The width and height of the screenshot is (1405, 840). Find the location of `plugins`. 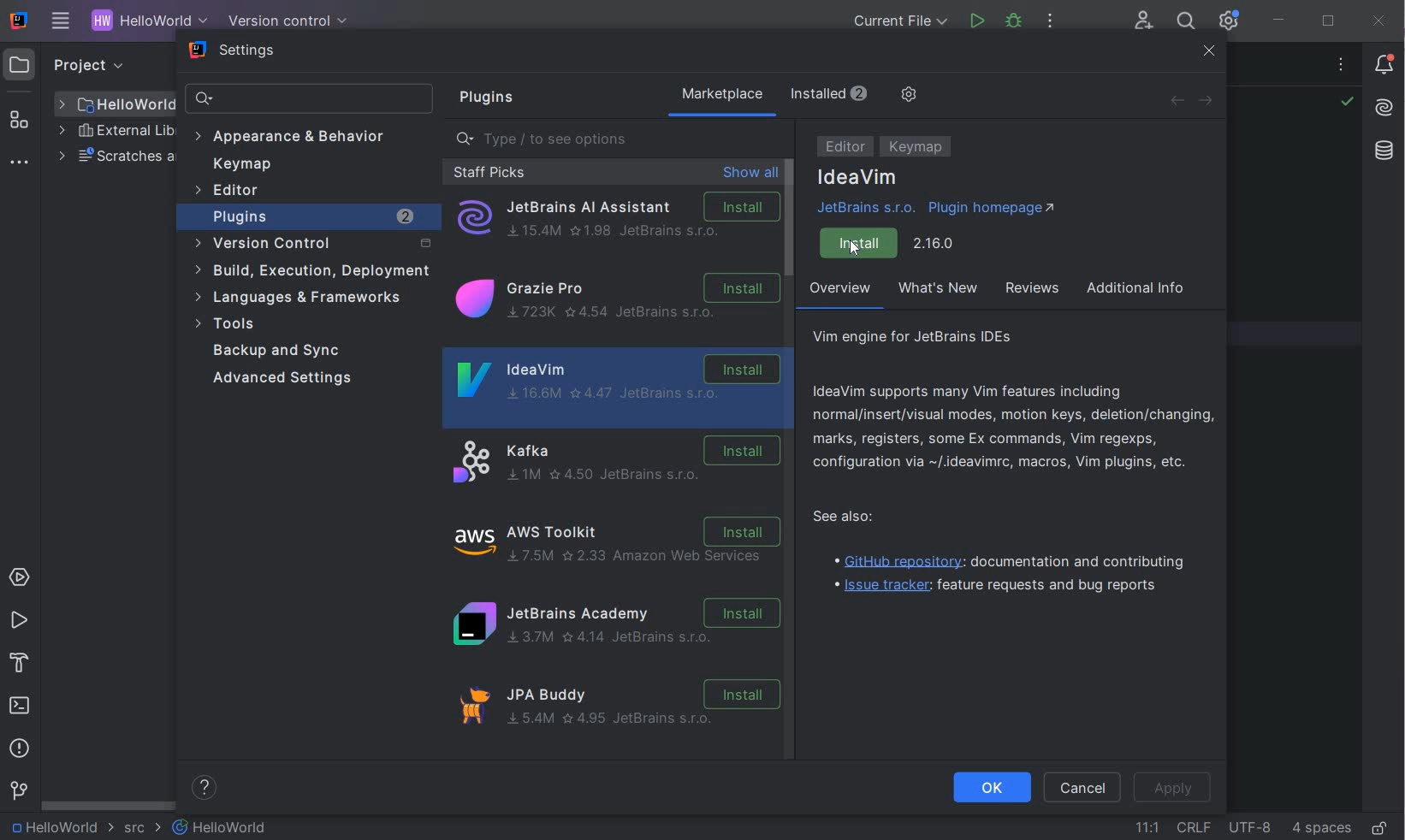

plugins is located at coordinates (315, 216).